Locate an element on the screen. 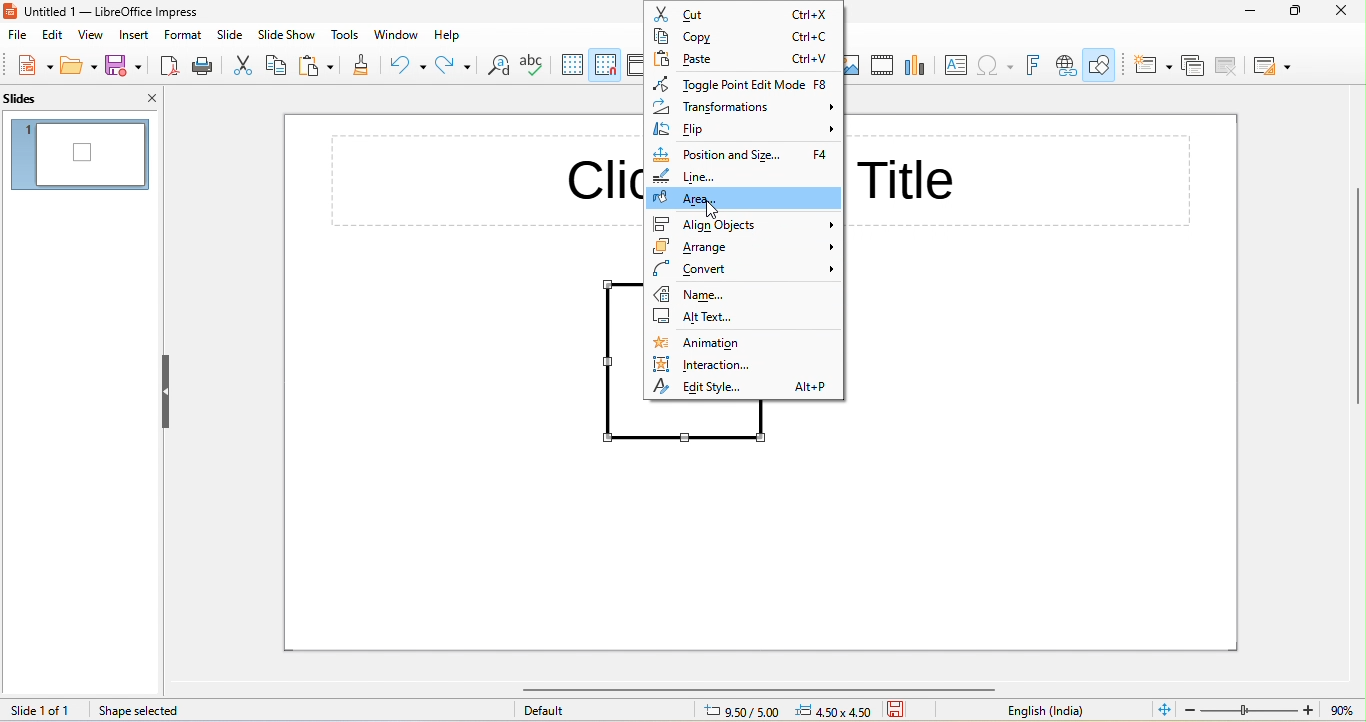  alt+p is located at coordinates (820, 388).